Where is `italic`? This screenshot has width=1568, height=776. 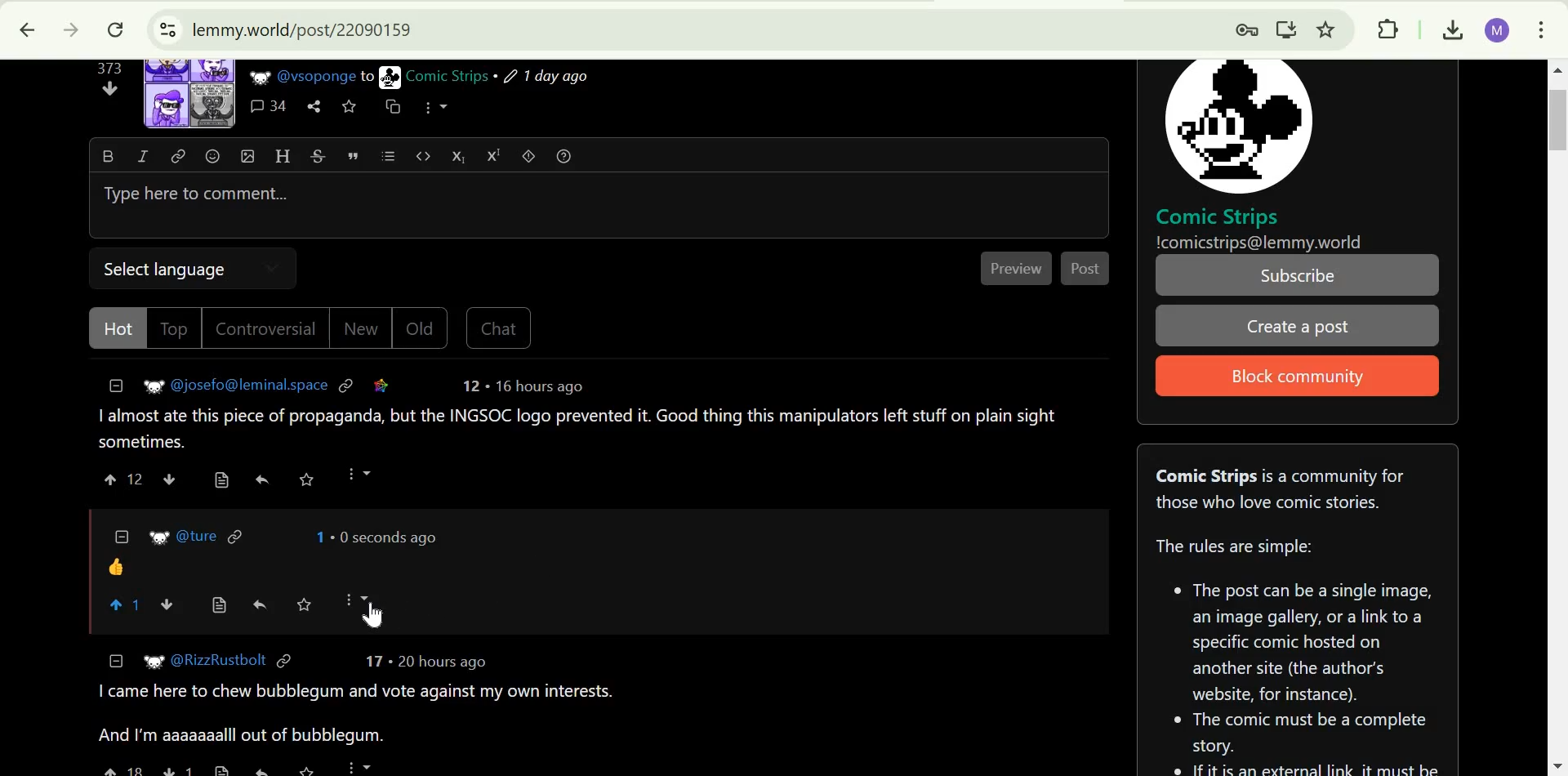 italic is located at coordinates (142, 155).